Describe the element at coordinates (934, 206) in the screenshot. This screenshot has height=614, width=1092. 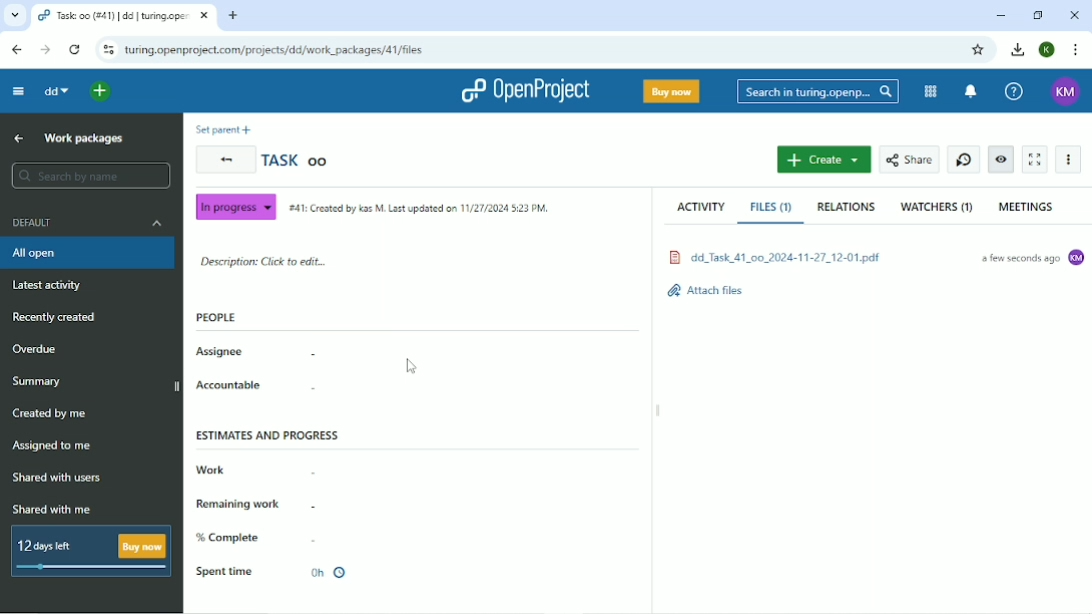
I see `Watchers 1` at that location.